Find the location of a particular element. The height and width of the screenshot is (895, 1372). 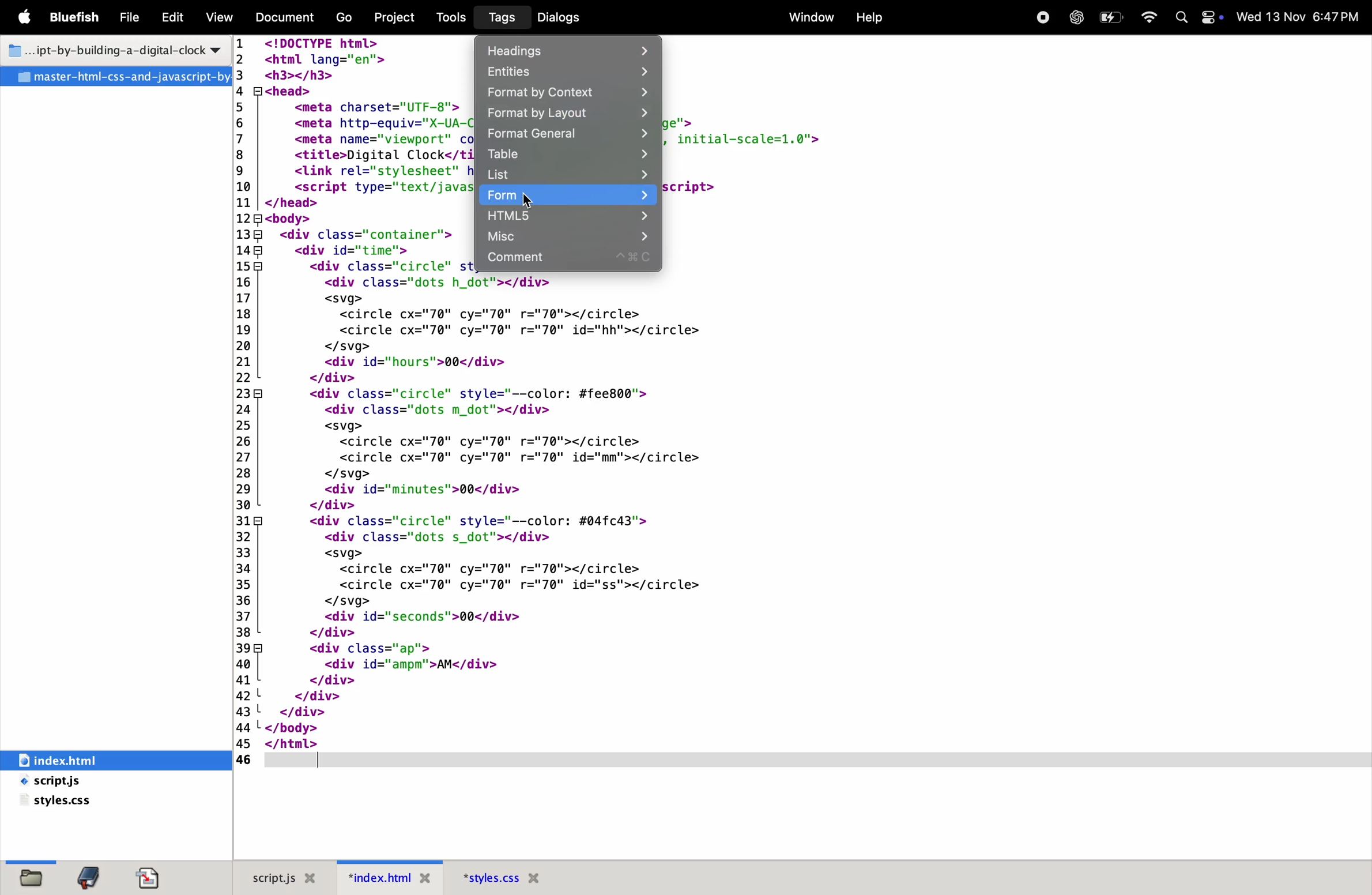

entites is located at coordinates (575, 72).